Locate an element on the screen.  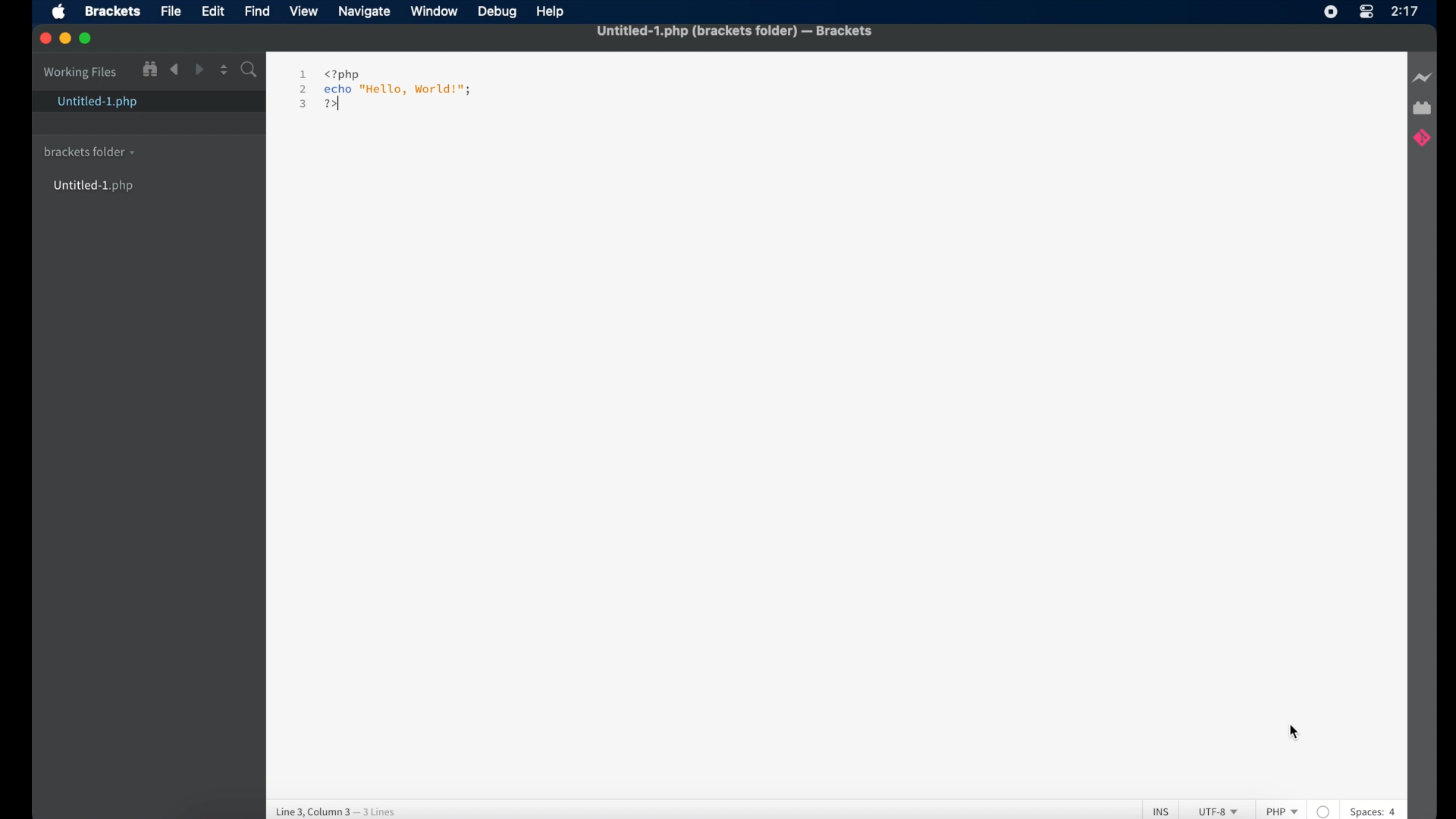
navigate is located at coordinates (365, 13).